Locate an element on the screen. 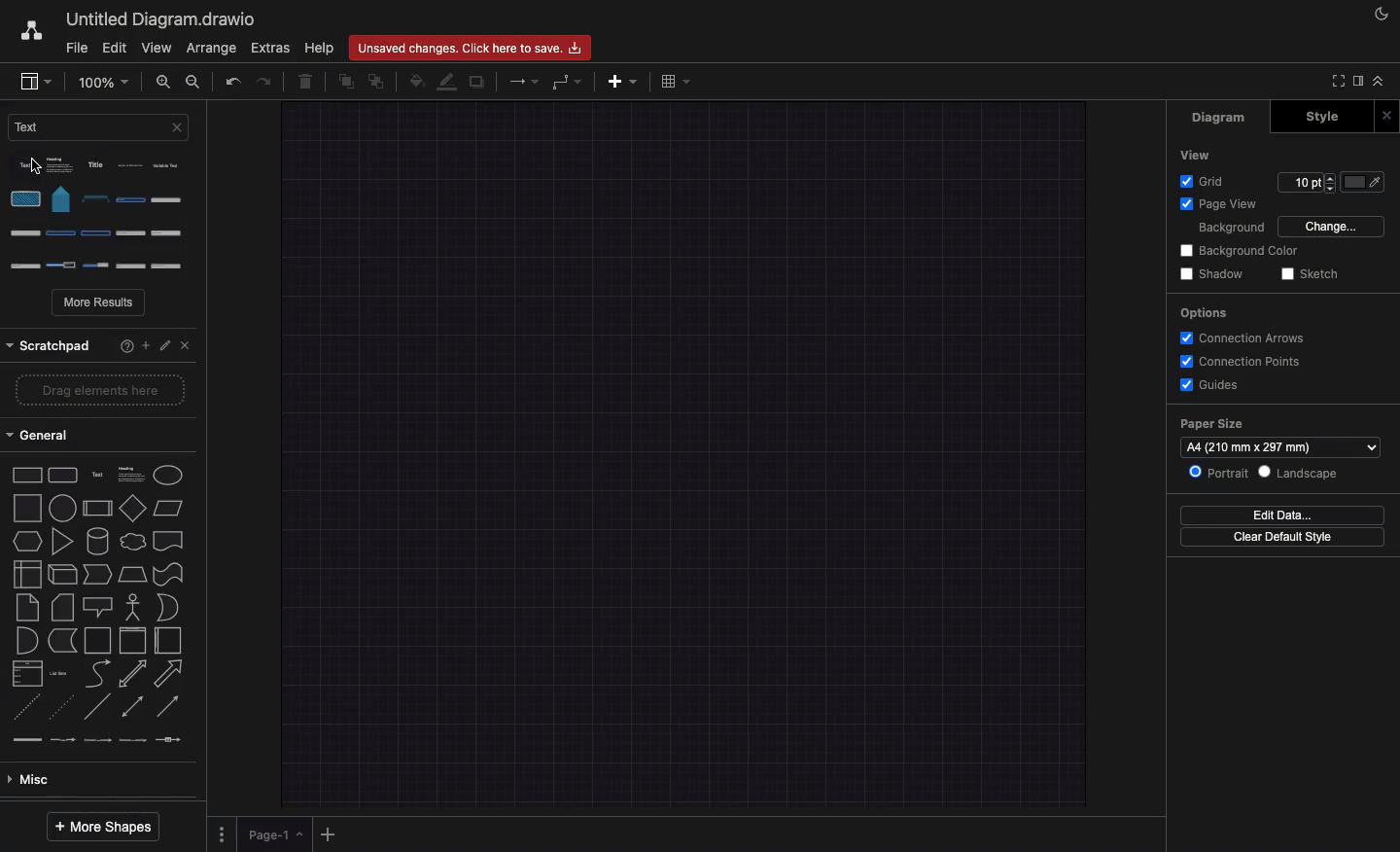  Text is located at coordinates (98, 126).